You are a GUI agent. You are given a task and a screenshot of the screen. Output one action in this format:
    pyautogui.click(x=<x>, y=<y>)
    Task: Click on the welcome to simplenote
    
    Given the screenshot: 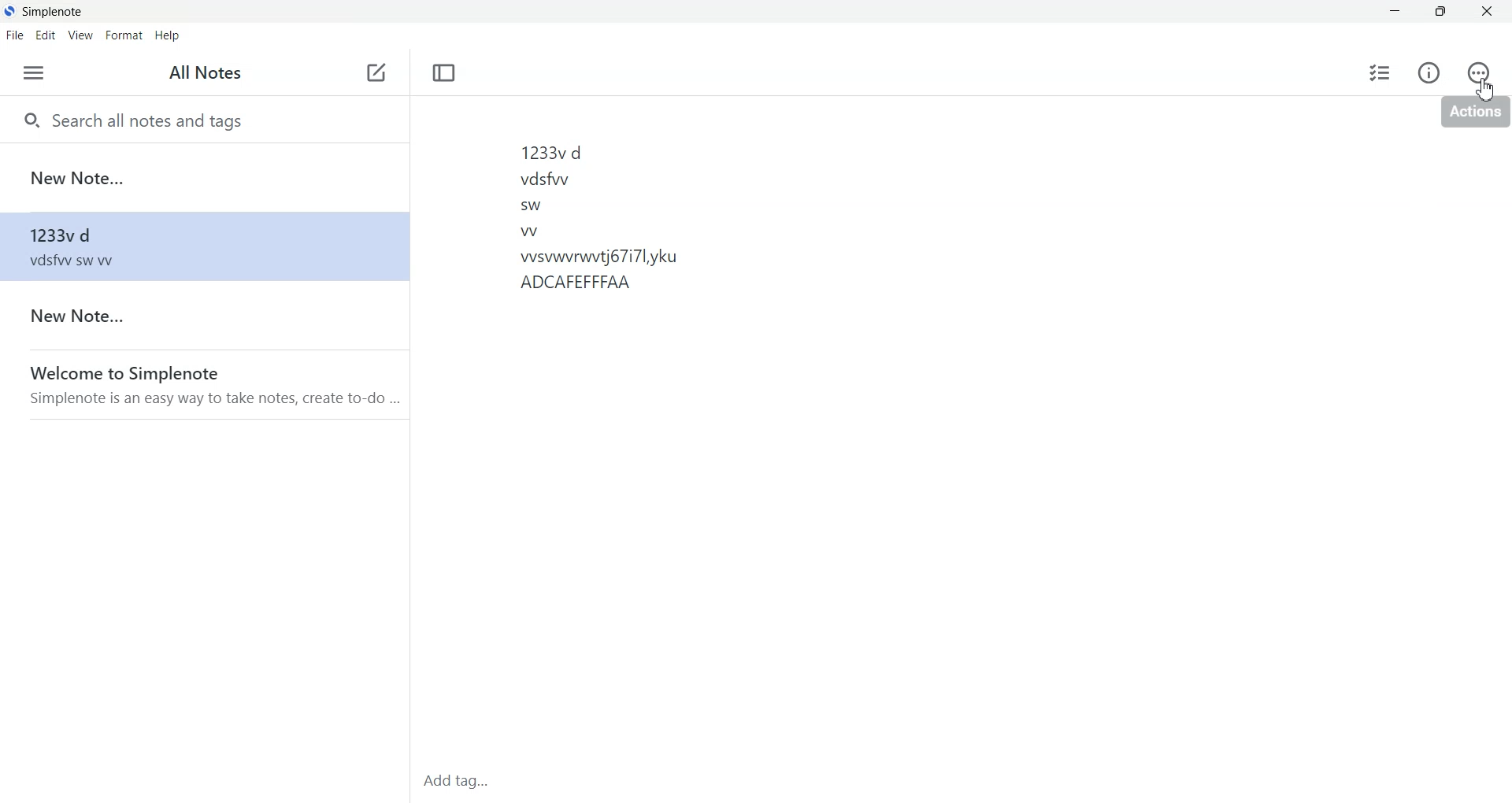 What is the action you would take?
    pyautogui.click(x=203, y=384)
    